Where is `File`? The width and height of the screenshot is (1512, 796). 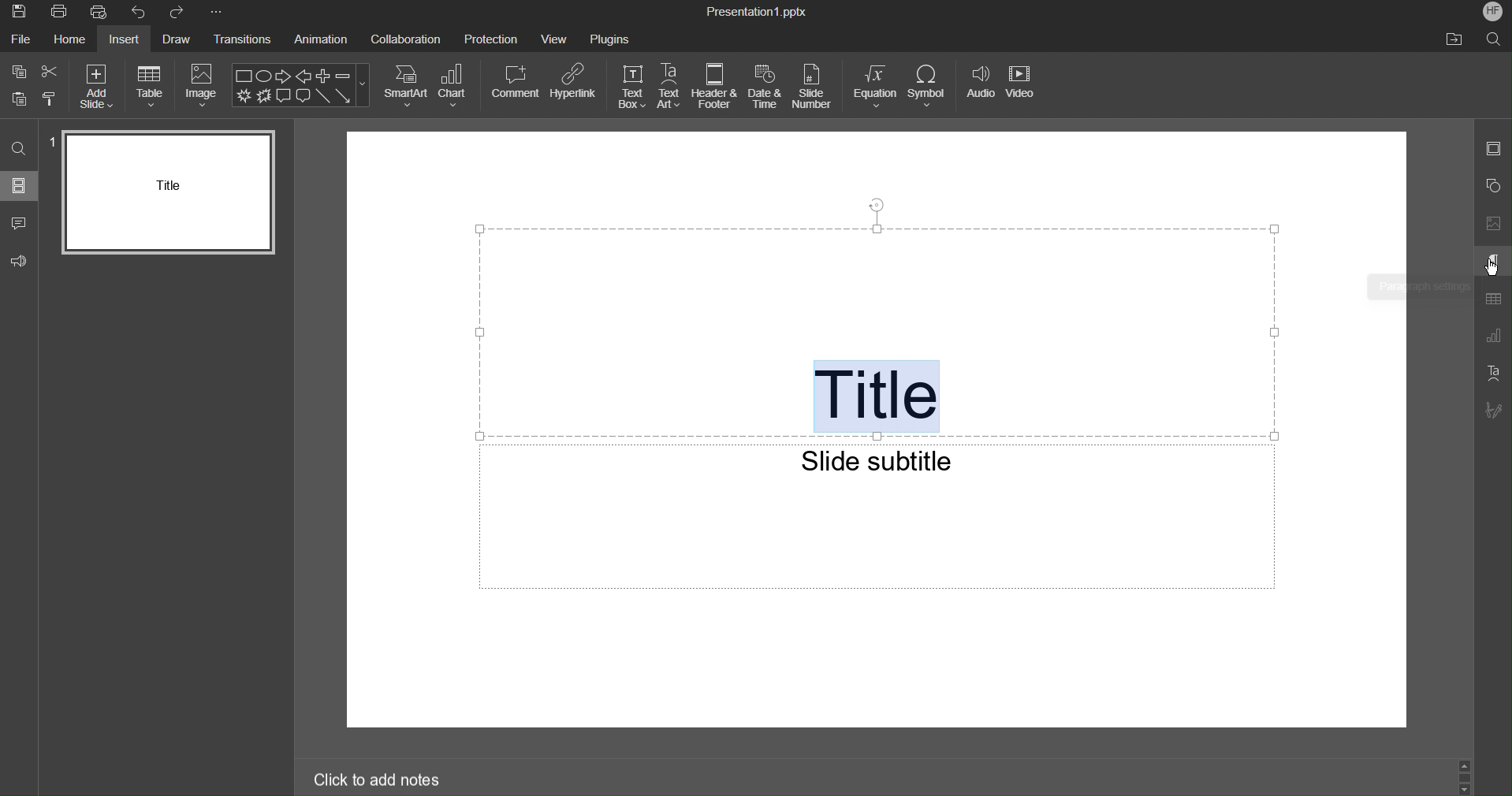
File is located at coordinates (22, 42).